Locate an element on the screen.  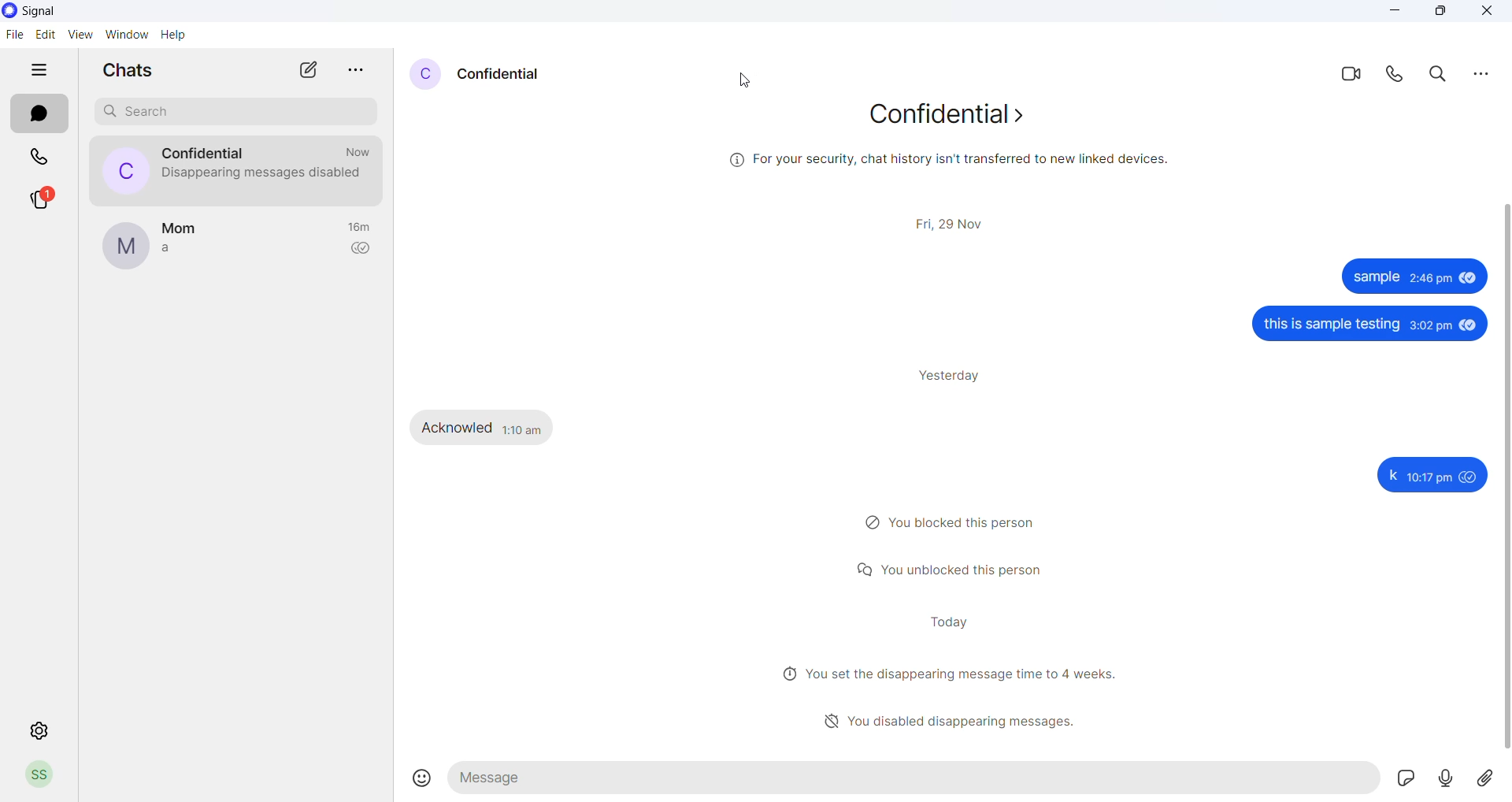
emojis is located at coordinates (422, 777).